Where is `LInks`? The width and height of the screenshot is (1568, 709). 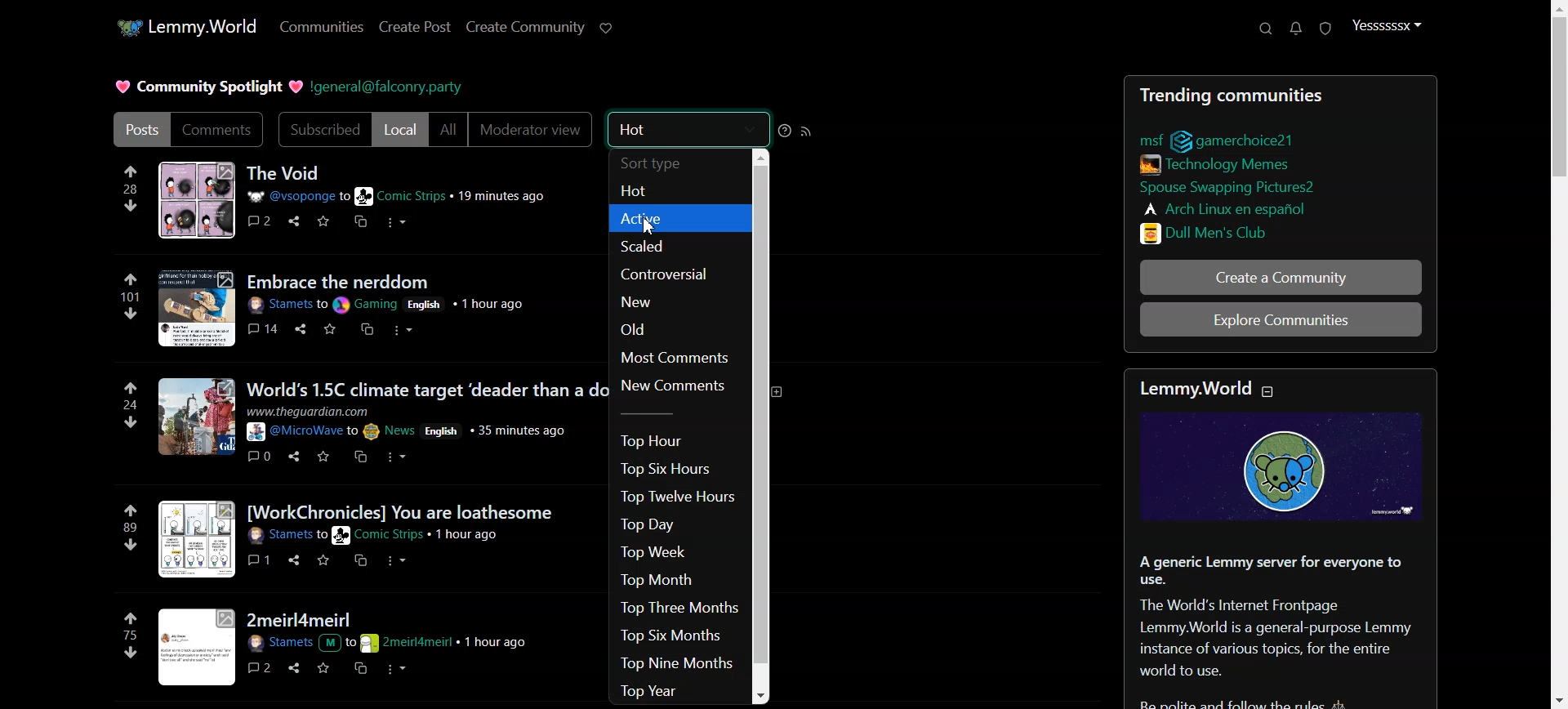
LInks is located at coordinates (1226, 185).